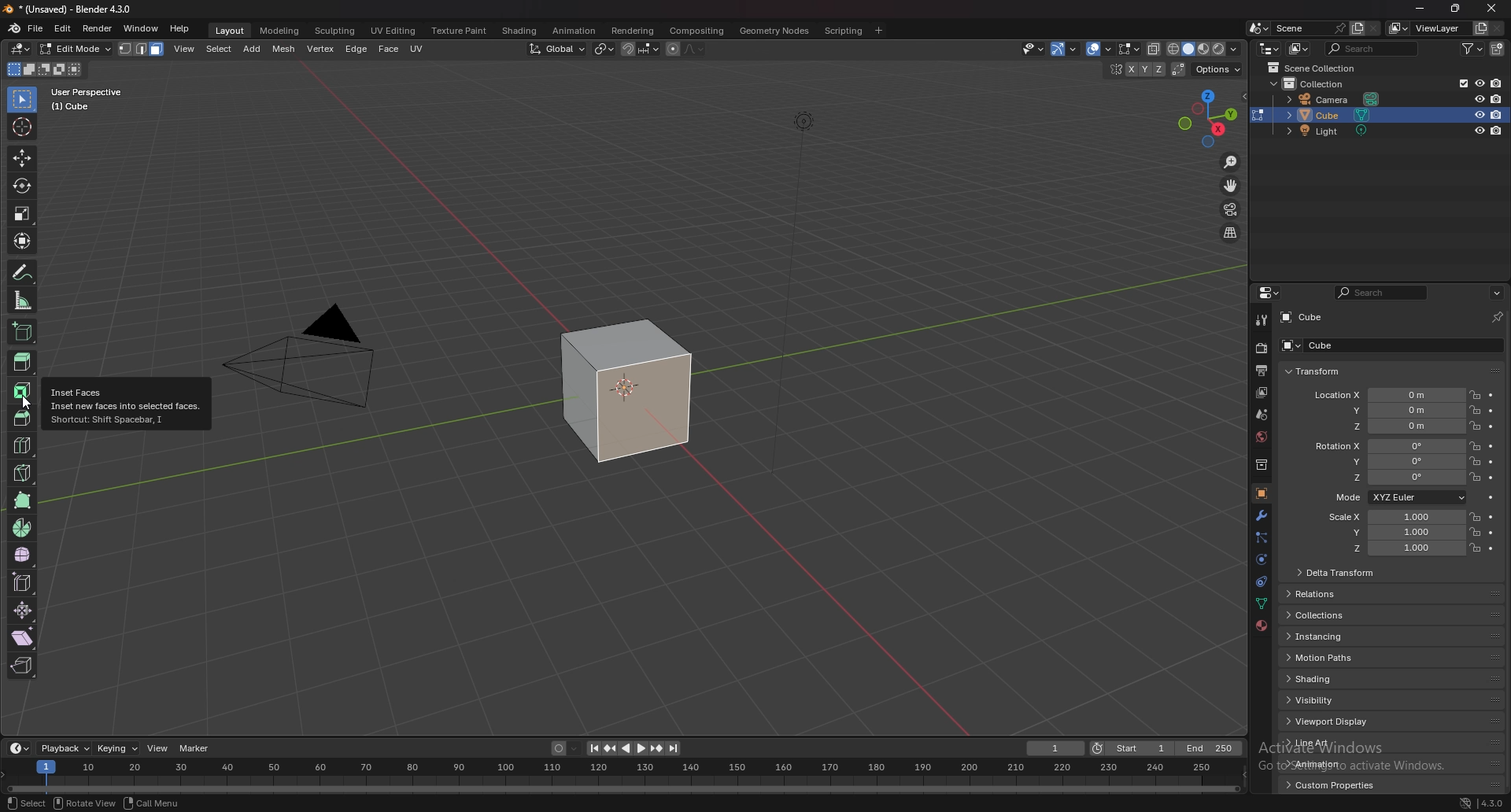  I want to click on current frame, so click(1056, 748).